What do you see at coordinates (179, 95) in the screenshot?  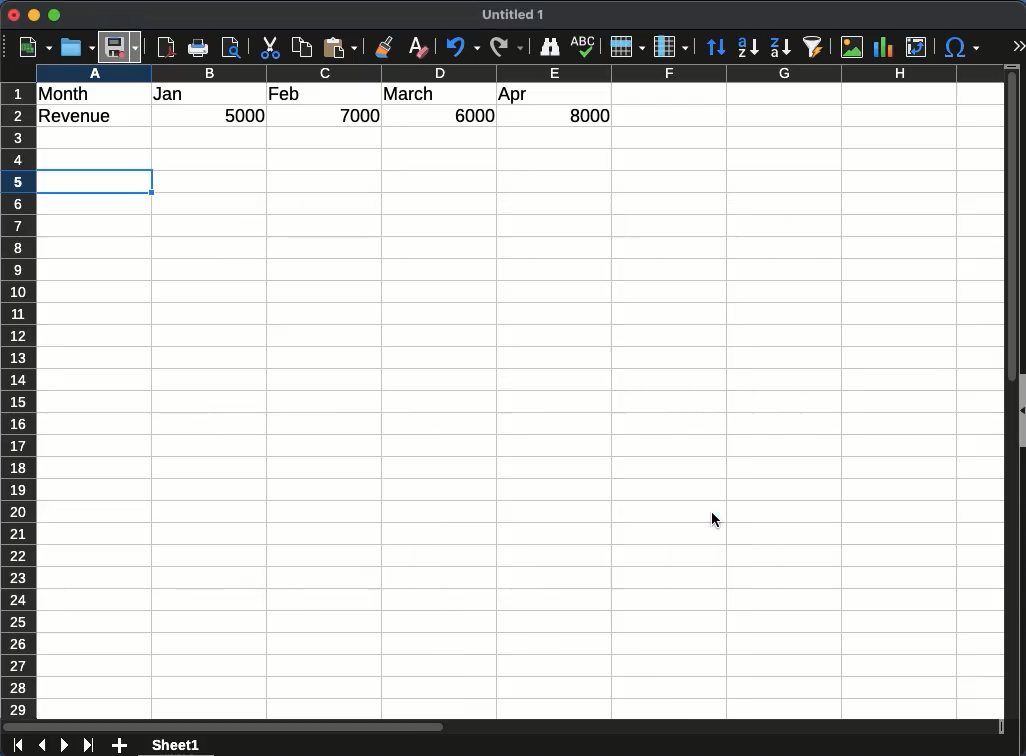 I see `jan` at bounding box center [179, 95].